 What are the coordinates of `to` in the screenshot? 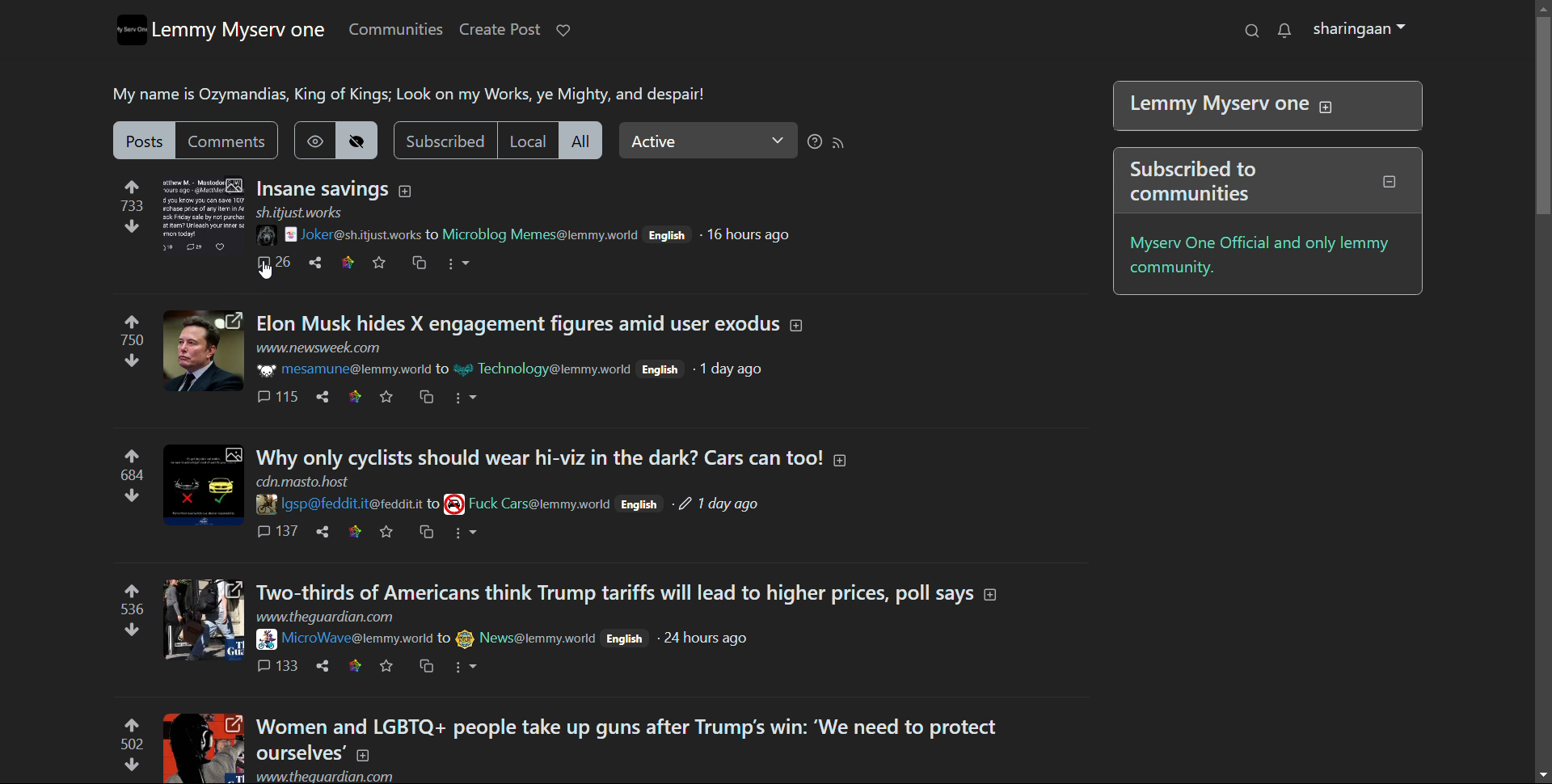 It's located at (435, 233).